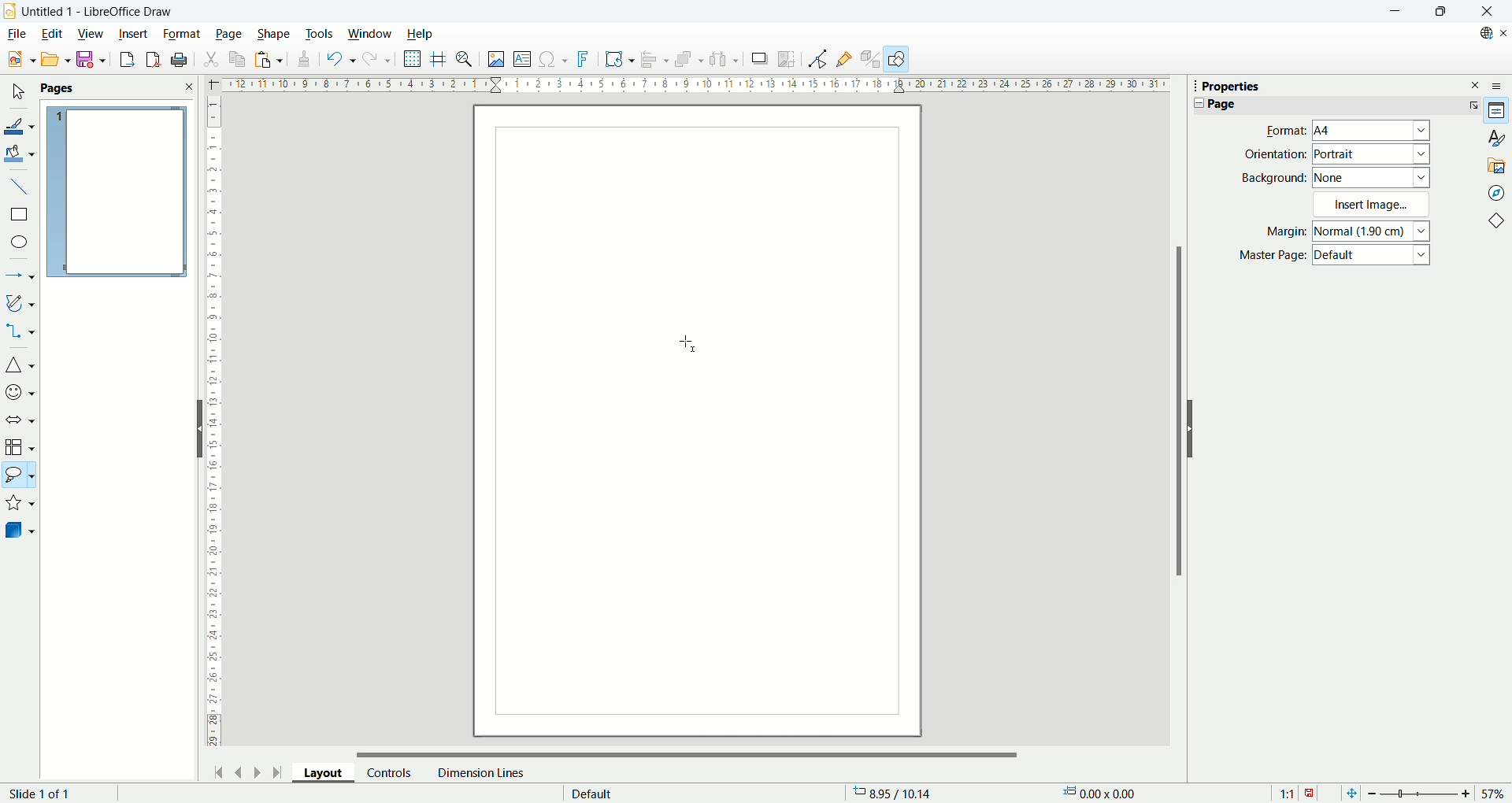 The height and width of the screenshot is (803, 1512). I want to click on next page, so click(254, 771).